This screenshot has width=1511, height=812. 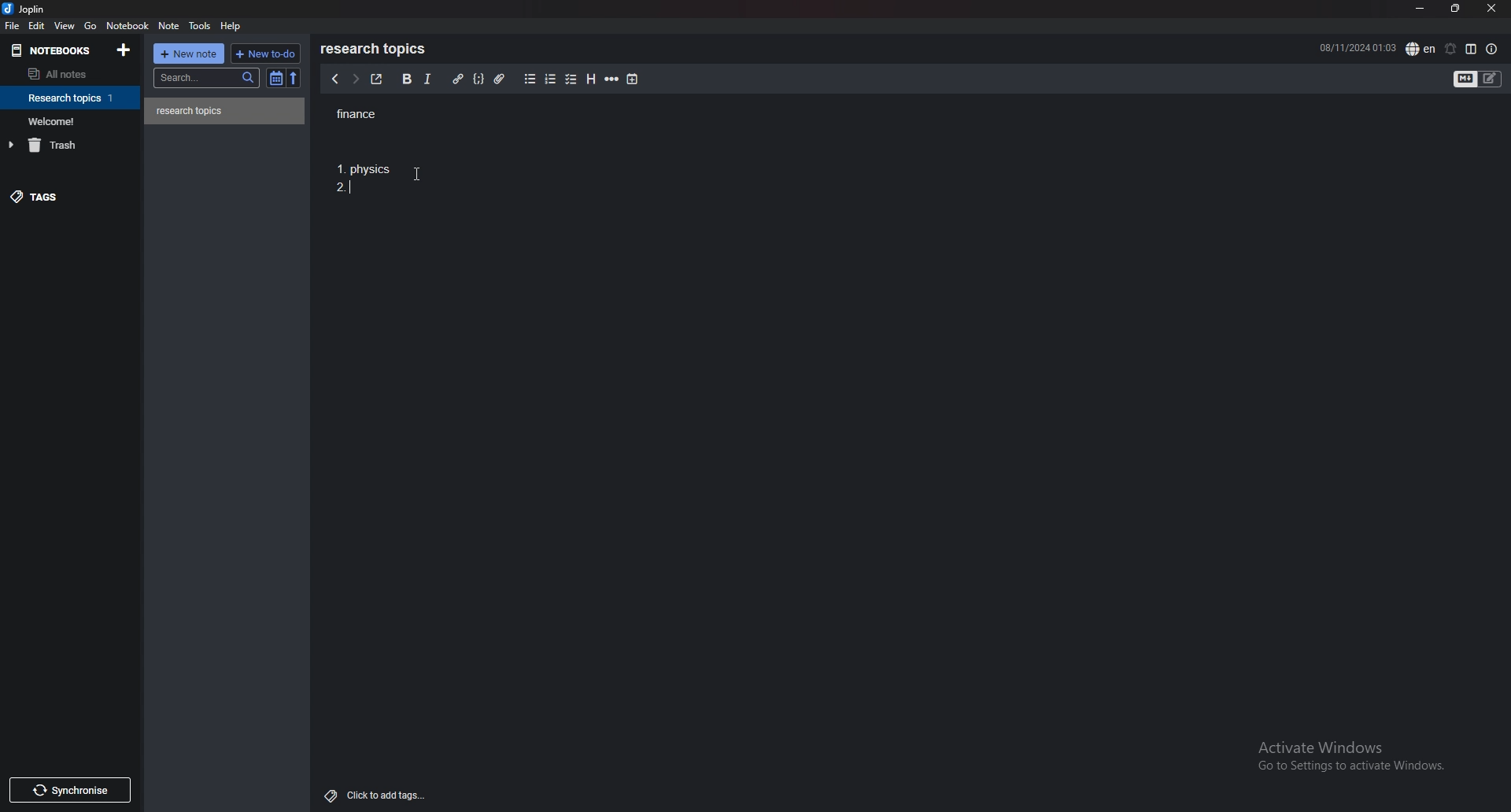 What do you see at coordinates (427, 79) in the screenshot?
I see `italic` at bounding box center [427, 79].